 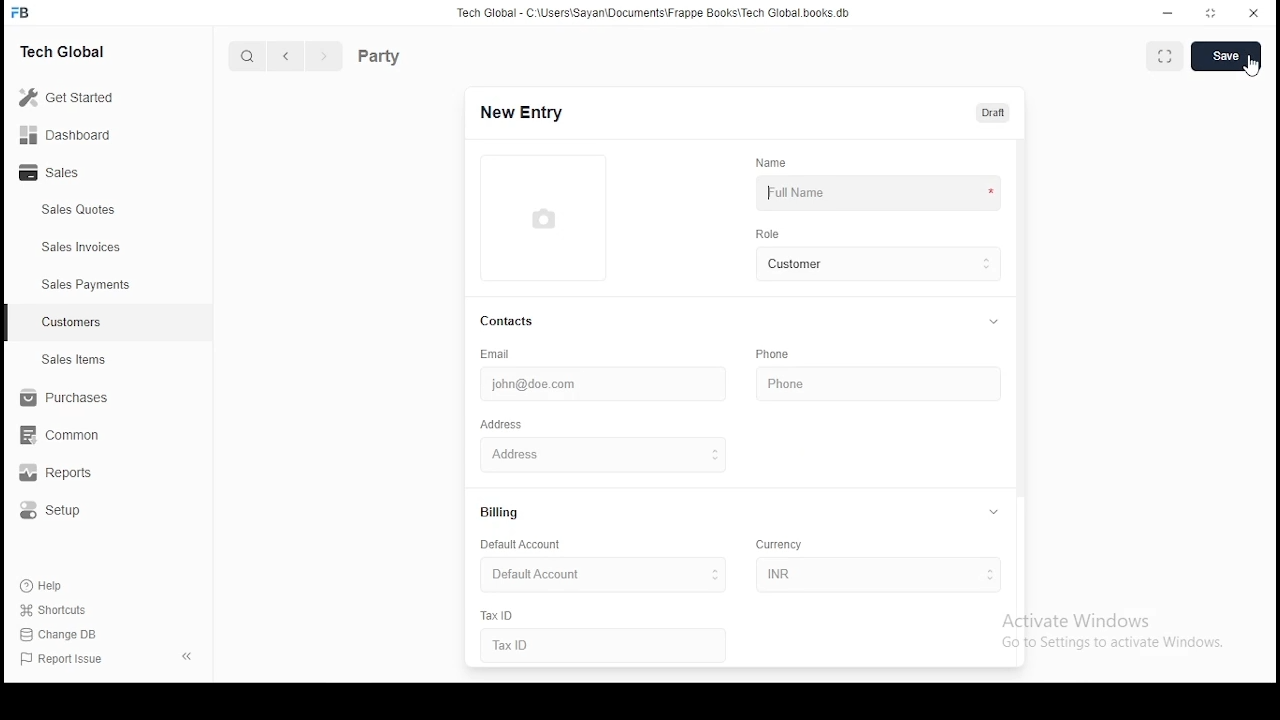 What do you see at coordinates (655, 13) in the screenshot?
I see `tech global - C:\users\sayan\documents\frappeboks\techgobalbooks.db` at bounding box center [655, 13].